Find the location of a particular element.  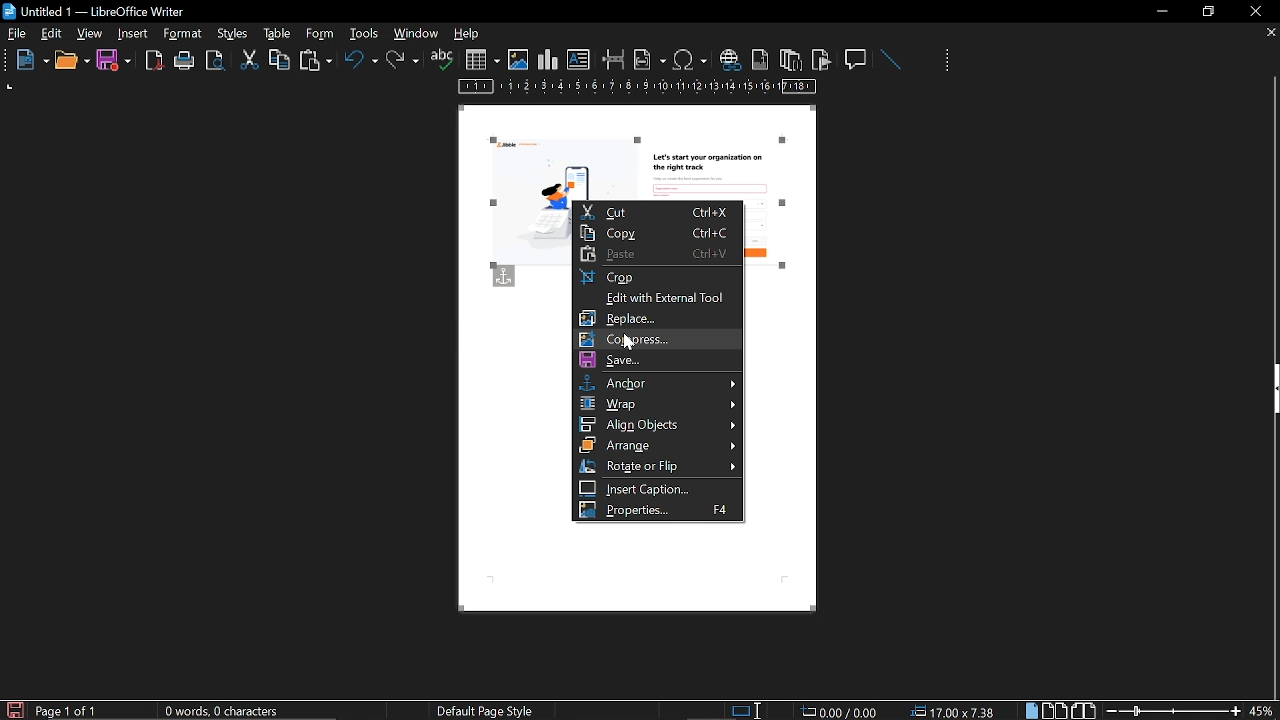

insert is located at coordinates (134, 34).